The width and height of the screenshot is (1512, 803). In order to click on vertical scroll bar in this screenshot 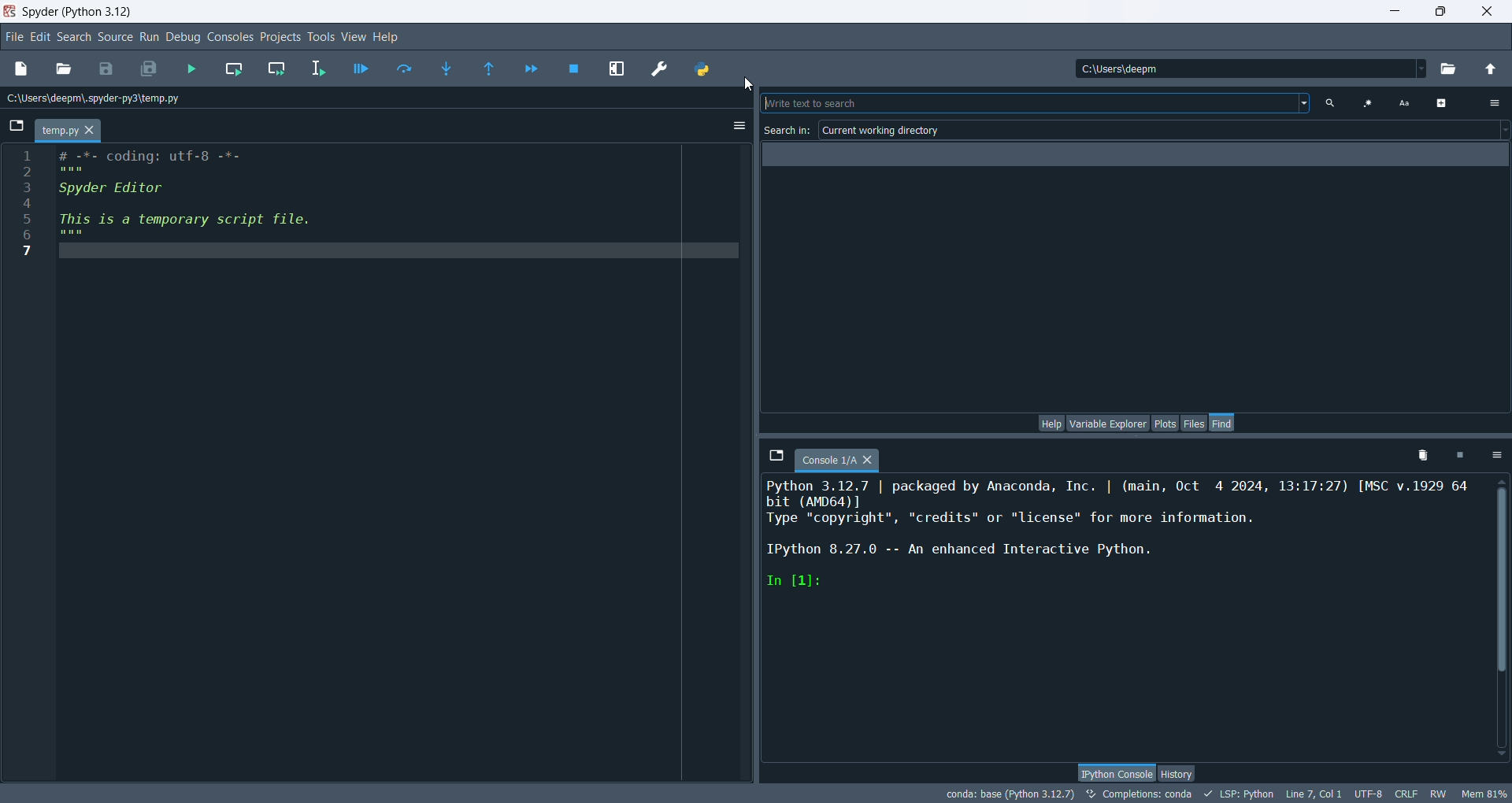, I will do `click(1495, 616)`.